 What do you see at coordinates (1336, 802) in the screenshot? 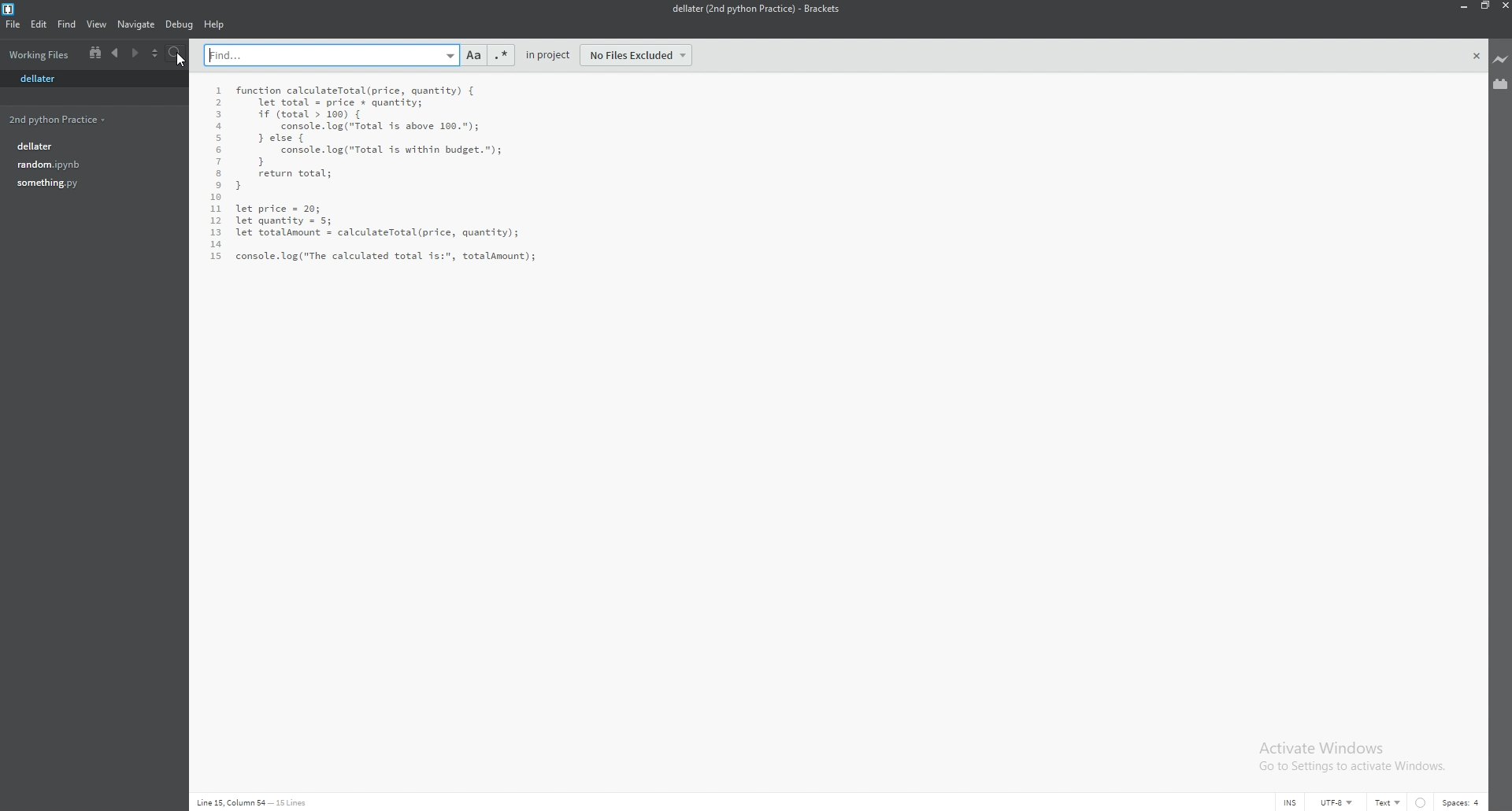
I see `UTF-8` at bounding box center [1336, 802].